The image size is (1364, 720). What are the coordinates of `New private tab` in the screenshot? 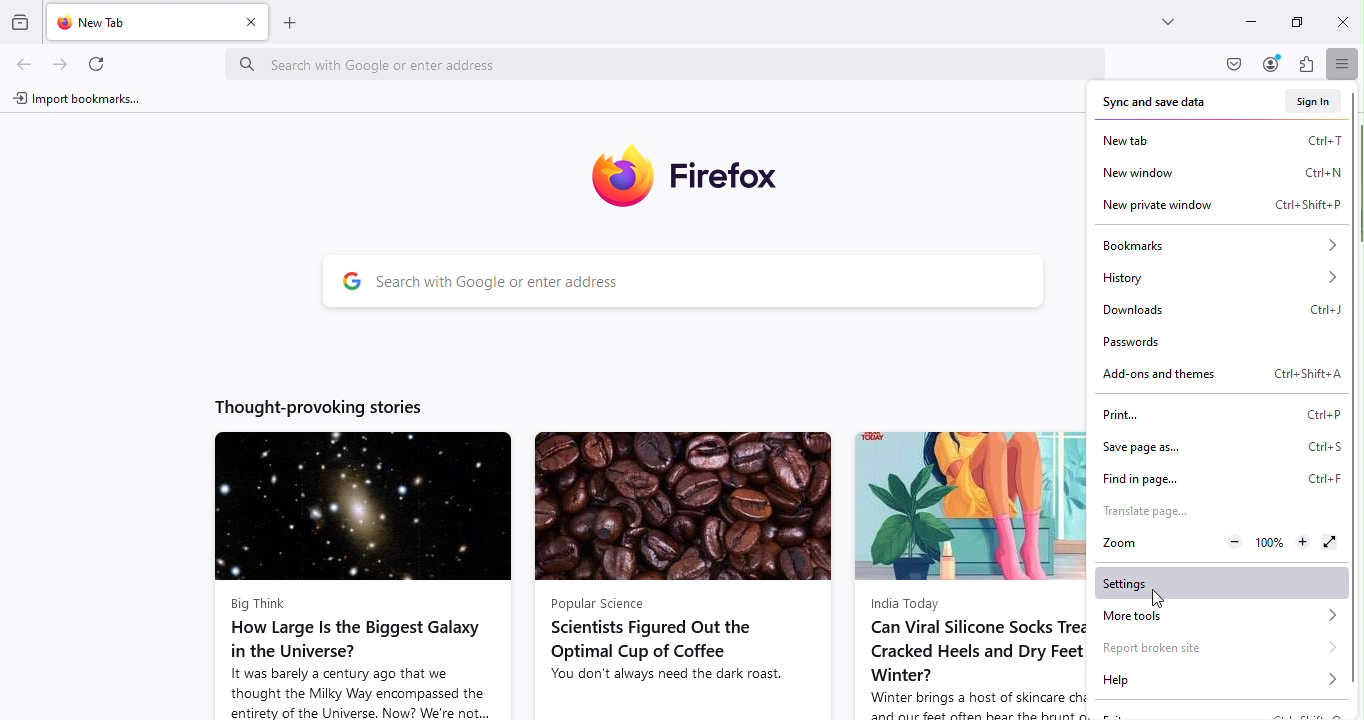 It's located at (1218, 205).